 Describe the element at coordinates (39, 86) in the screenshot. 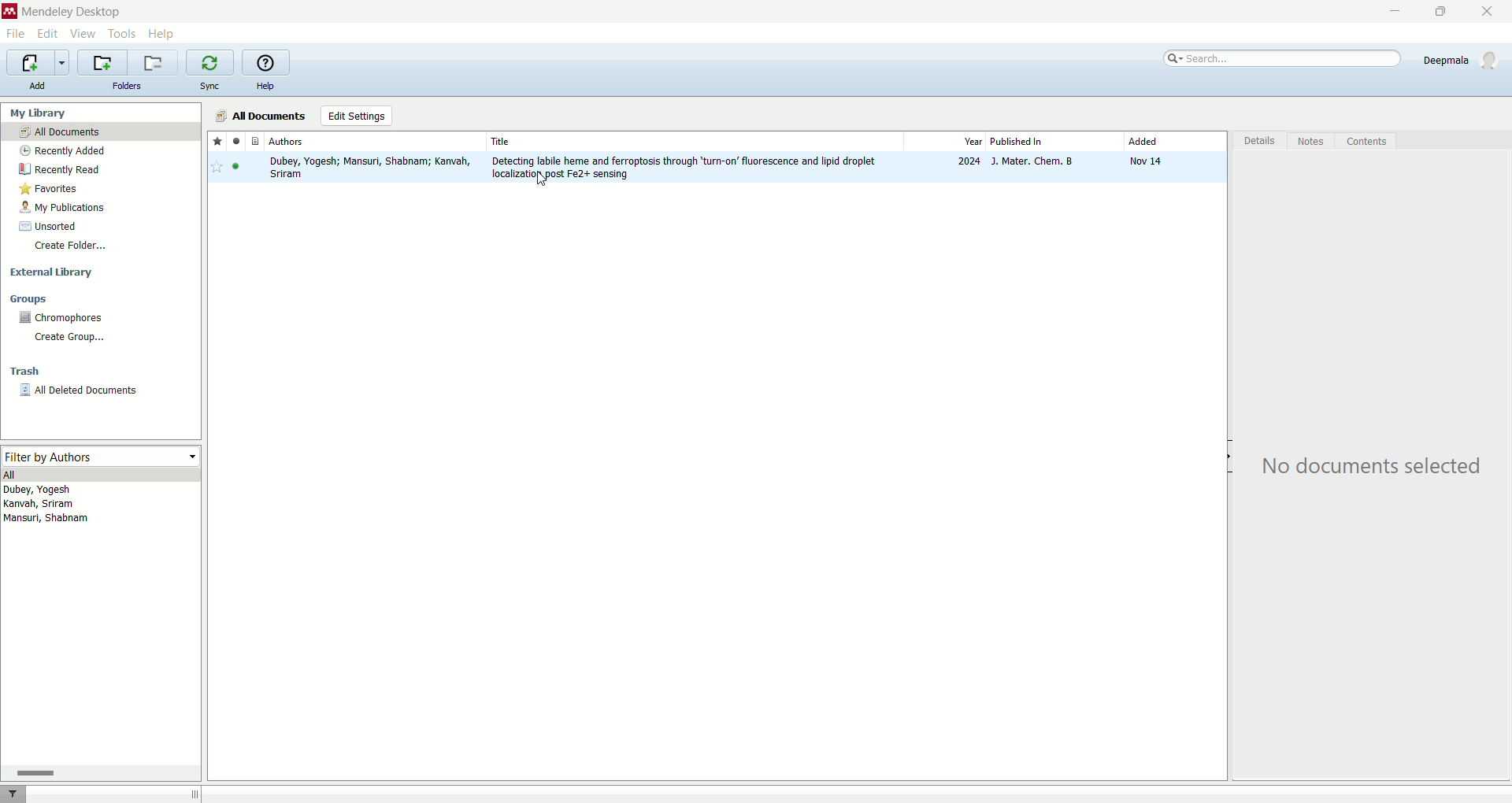

I see `add` at that location.